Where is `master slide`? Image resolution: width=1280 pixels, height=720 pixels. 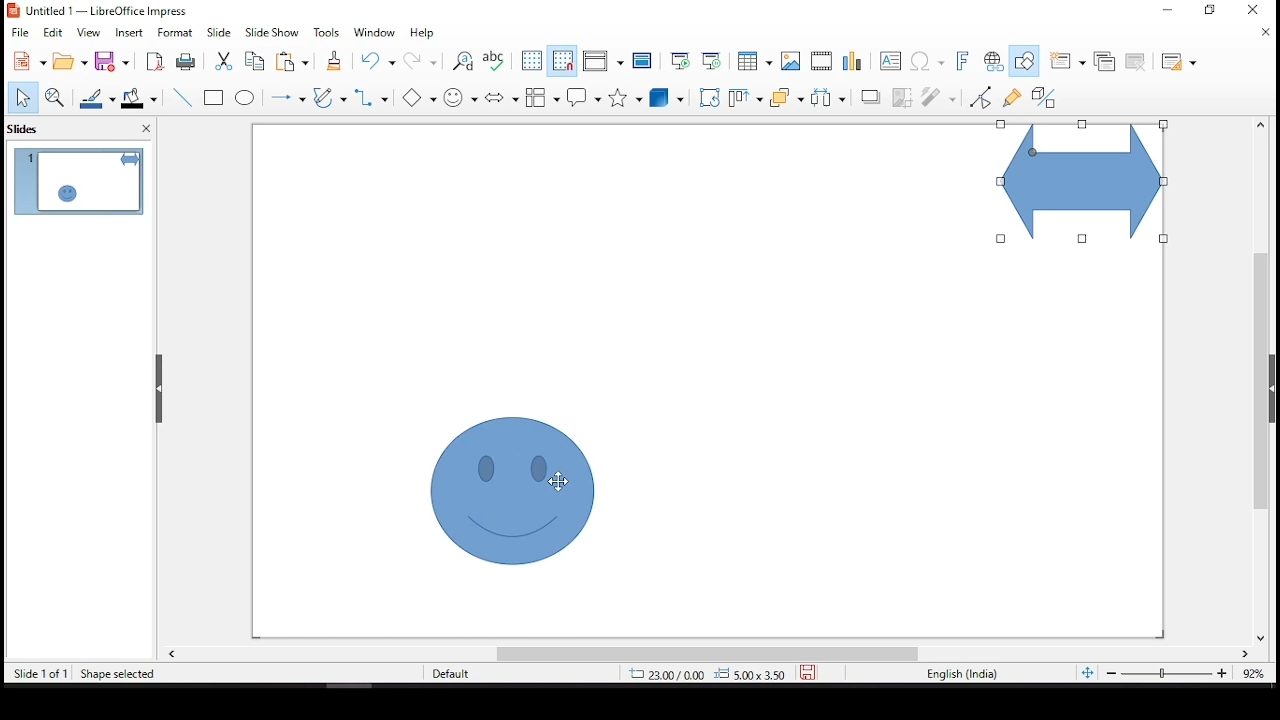 master slide is located at coordinates (643, 61).